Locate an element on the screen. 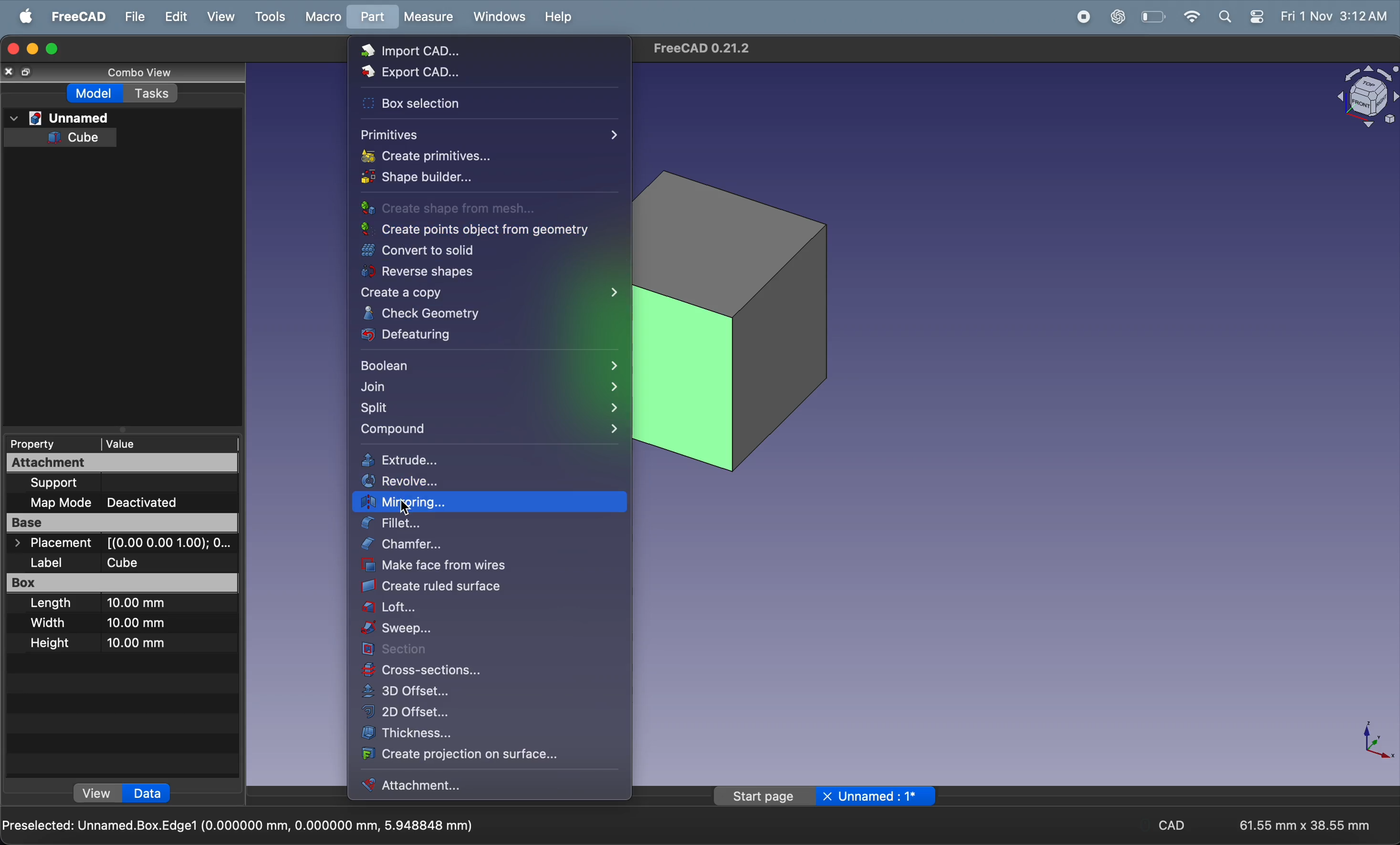  measure is located at coordinates (428, 18).